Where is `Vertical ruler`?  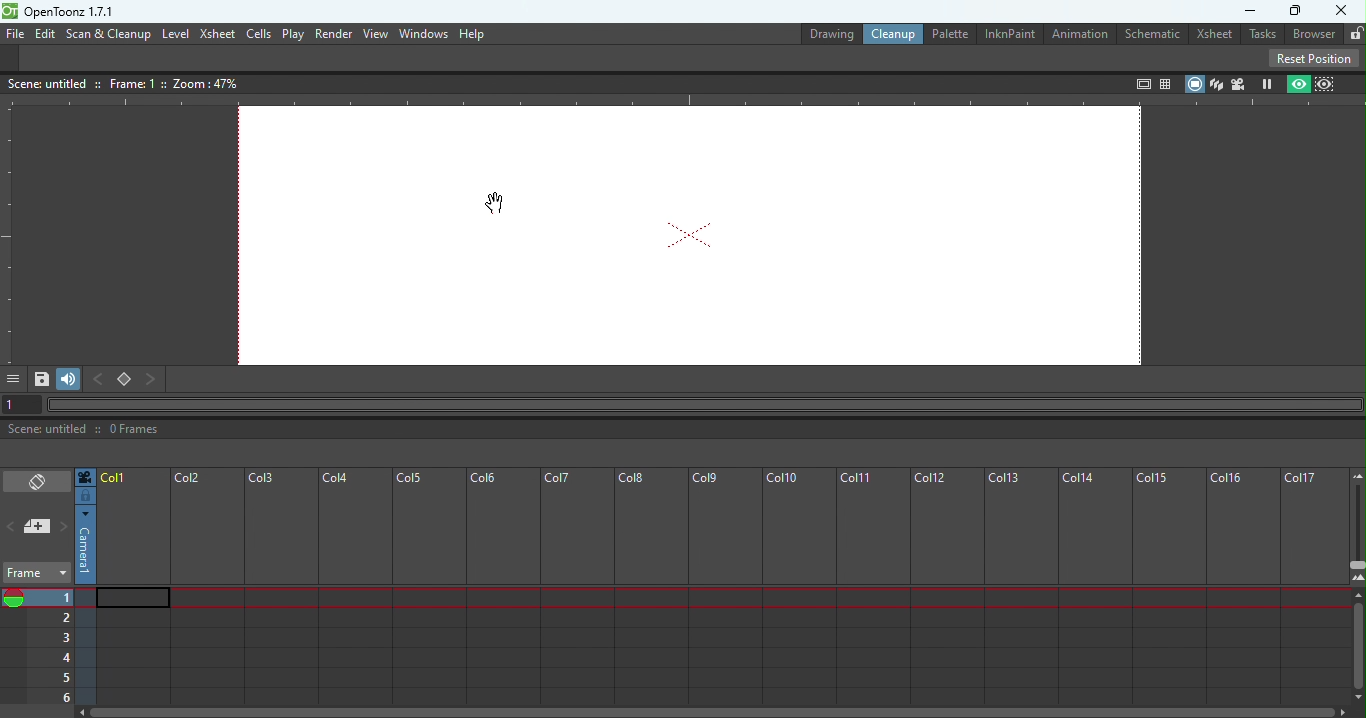 Vertical ruler is located at coordinates (12, 233).